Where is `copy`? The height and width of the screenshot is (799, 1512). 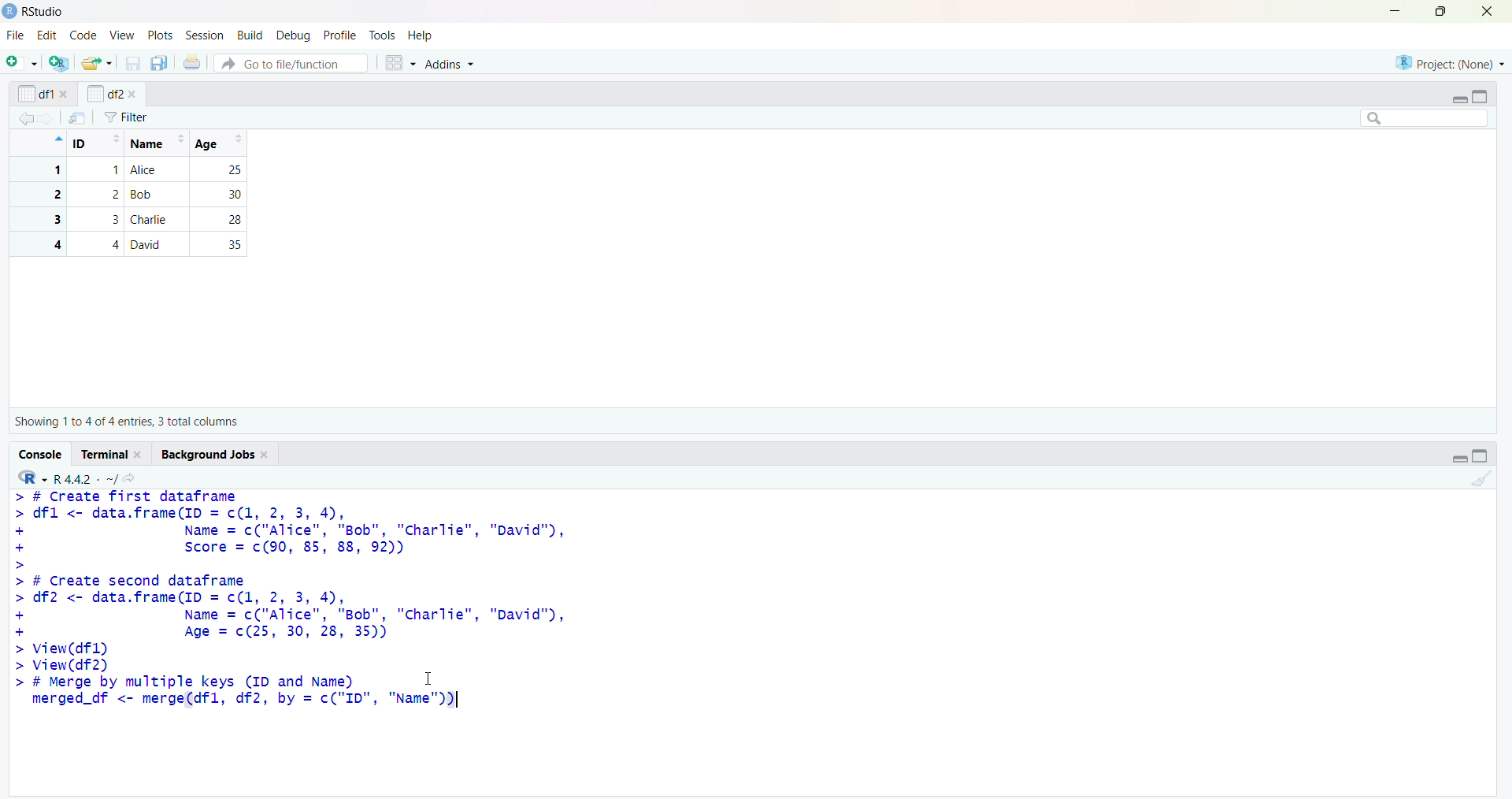
copy is located at coordinates (159, 63).